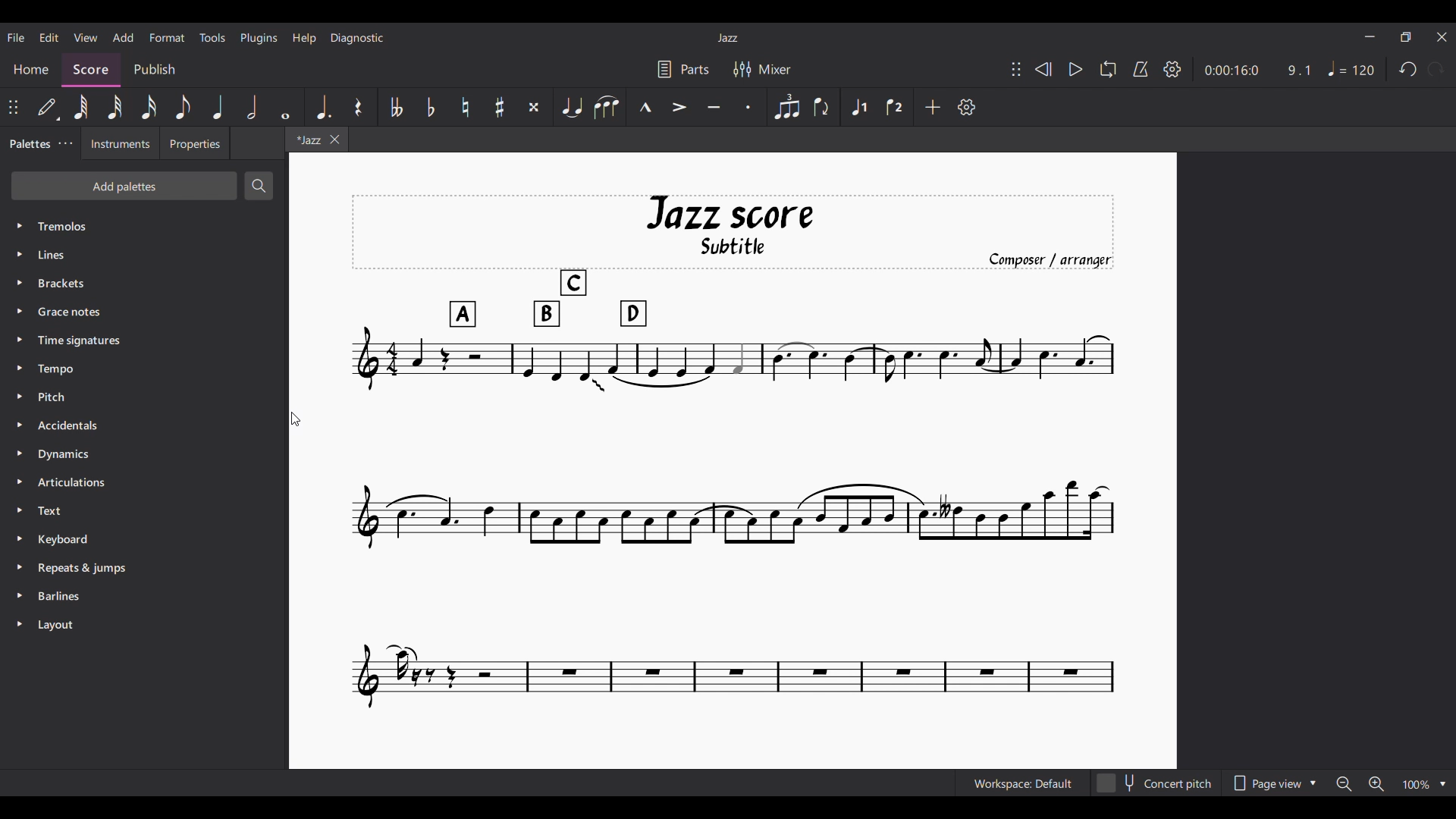 The height and width of the screenshot is (819, 1456). What do you see at coordinates (143, 227) in the screenshot?
I see `Tremolos` at bounding box center [143, 227].